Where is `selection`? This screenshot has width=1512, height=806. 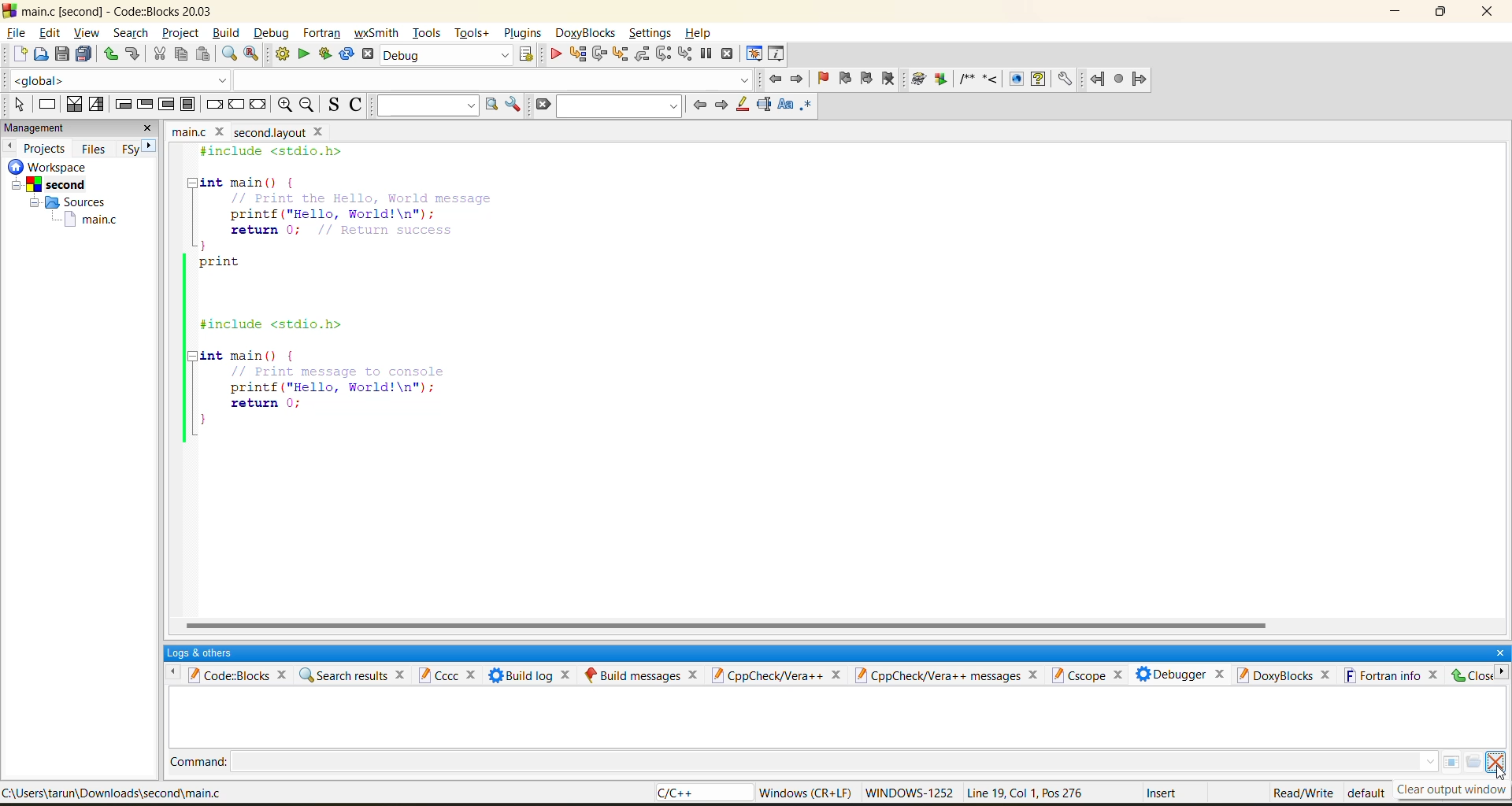 selection is located at coordinates (94, 104).